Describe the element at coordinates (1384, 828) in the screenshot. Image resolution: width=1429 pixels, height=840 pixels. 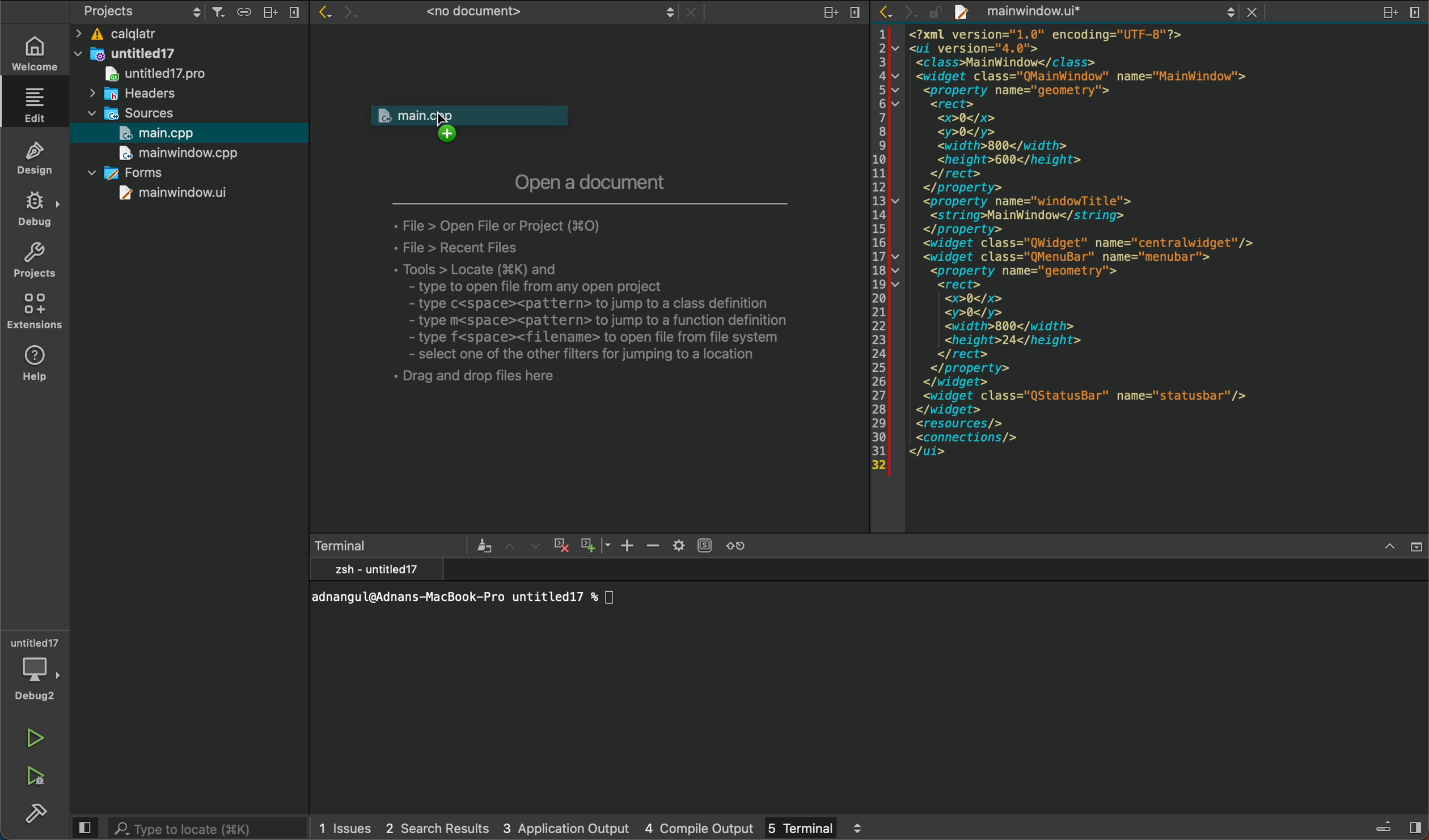
I see `toggle progress details` at that location.